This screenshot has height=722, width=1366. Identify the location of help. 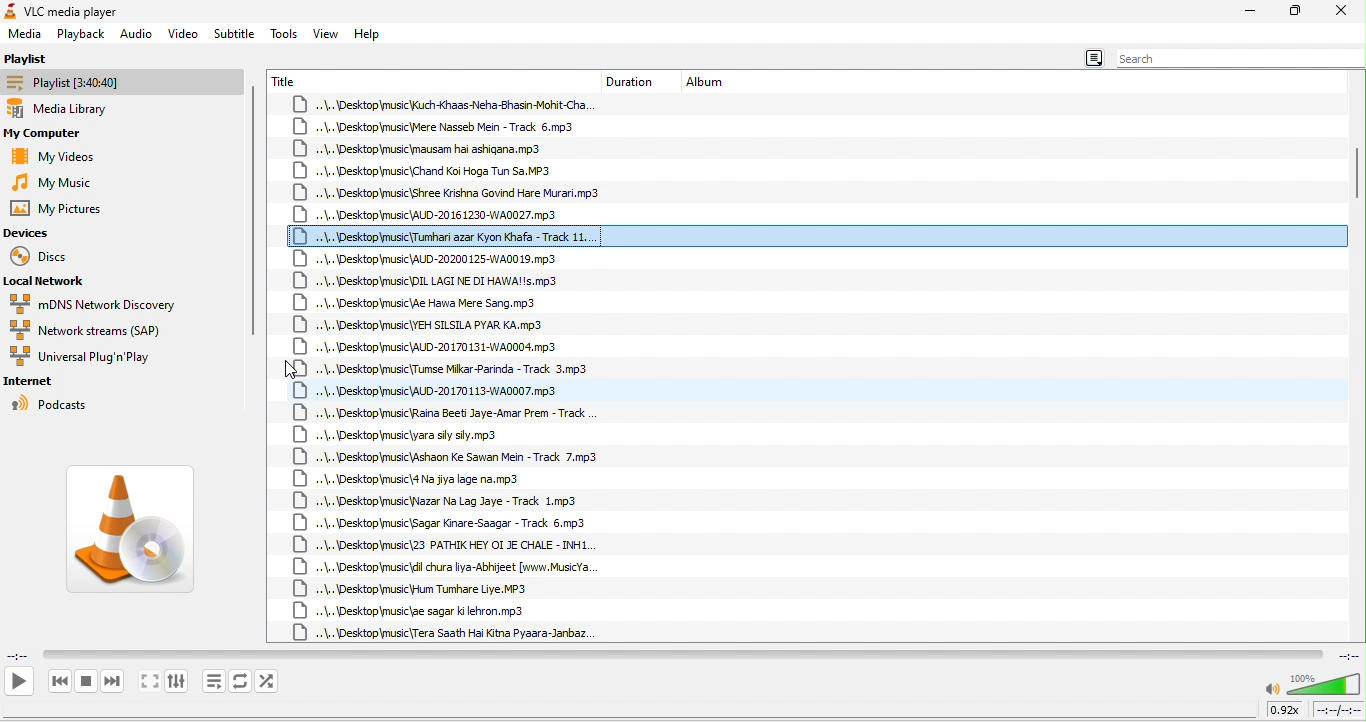
(369, 34).